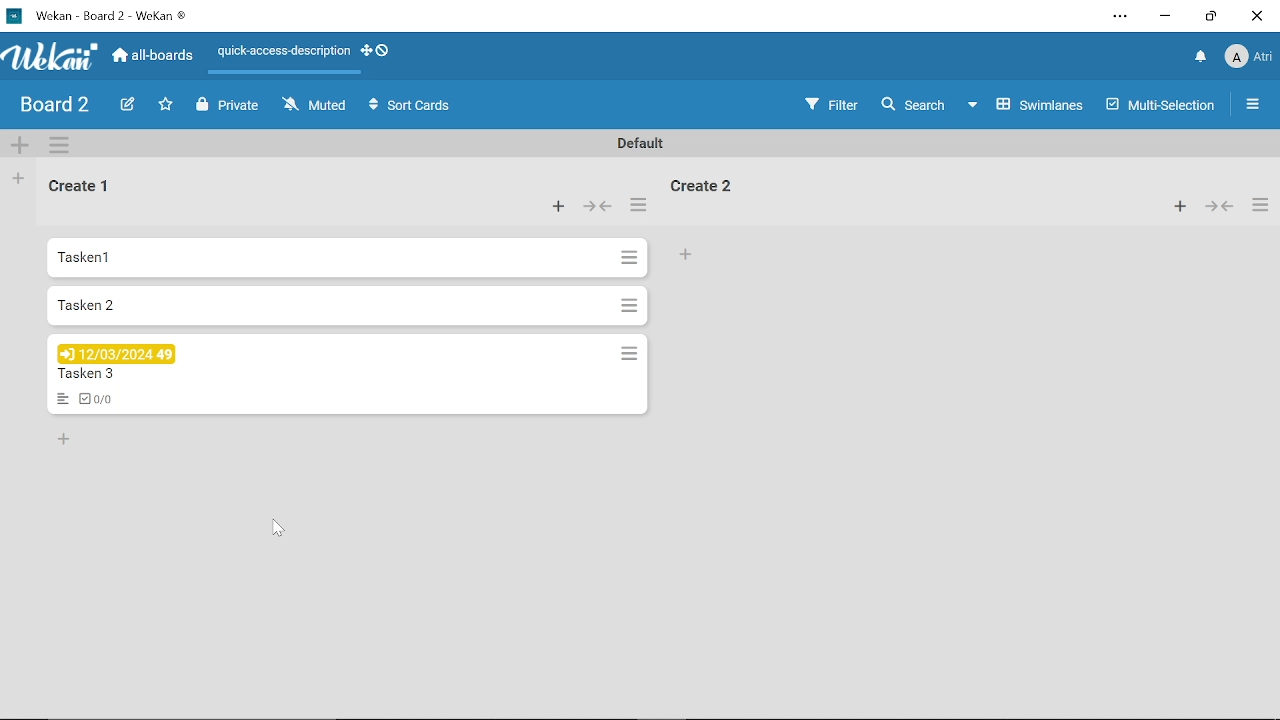  Describe the element at coordinates (21, 147) in the screenshot. I see `Add` at that location.